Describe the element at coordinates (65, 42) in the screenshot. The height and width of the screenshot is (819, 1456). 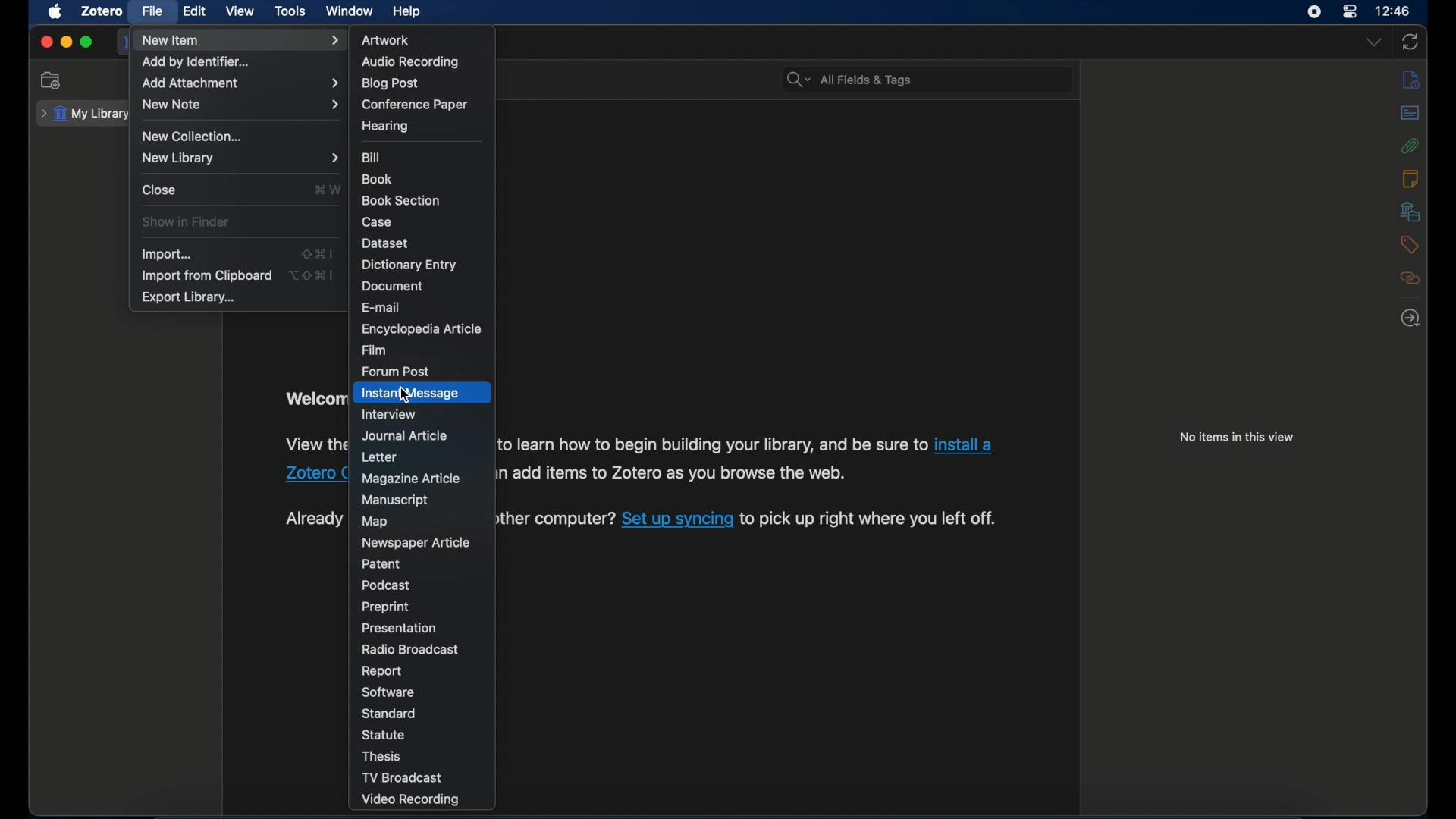
I see `minimize` at that location.